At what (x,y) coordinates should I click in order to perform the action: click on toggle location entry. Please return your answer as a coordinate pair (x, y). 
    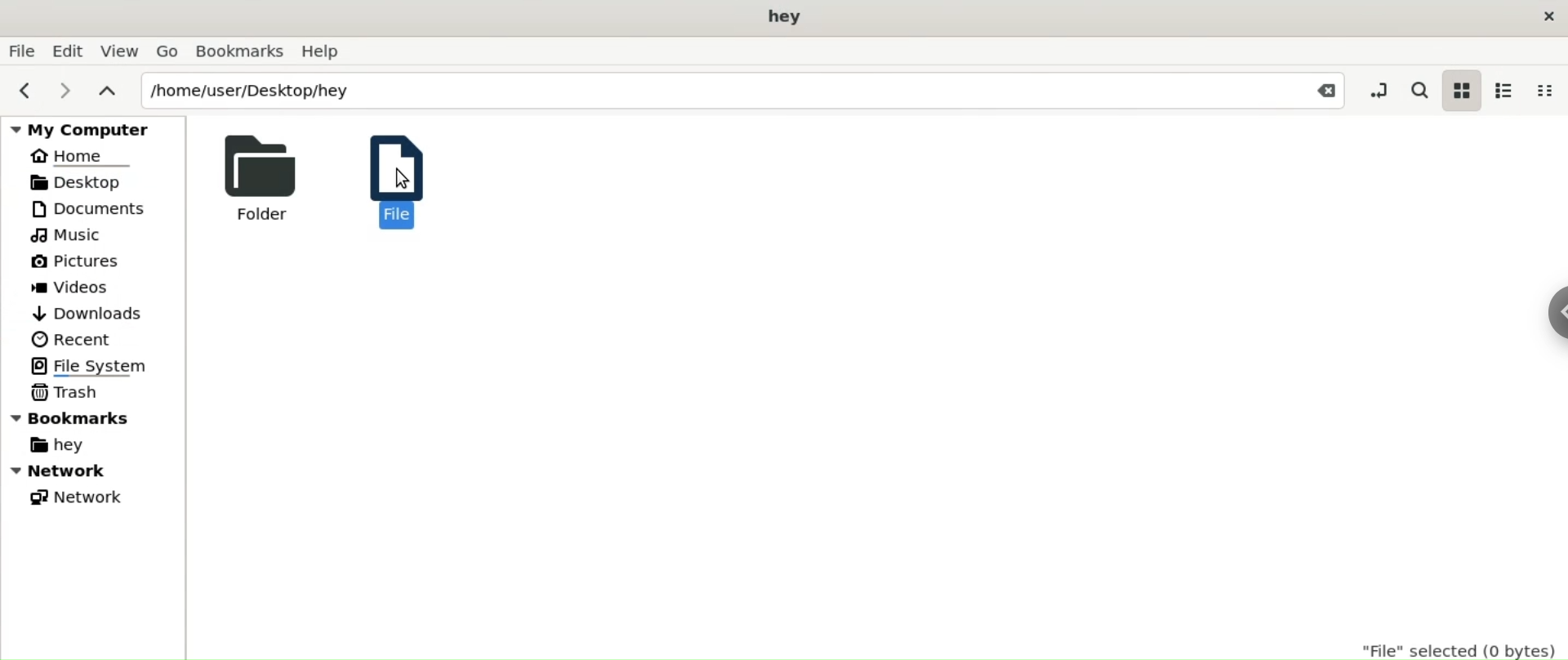
    Looking at the image, I should click on (1378, 90).